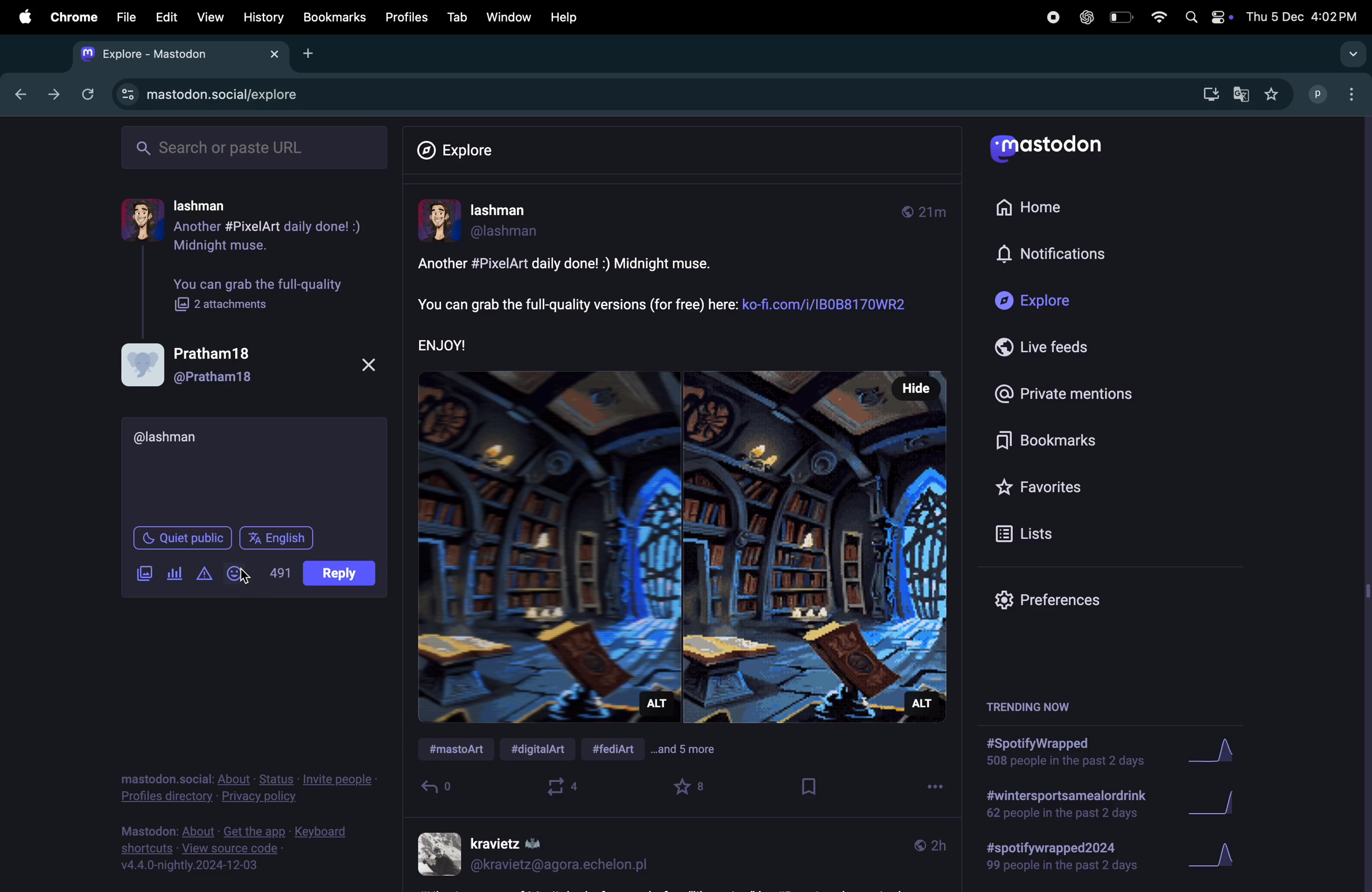 The height and width of the screenshot is (892, 1372). I want to click on time line, so click(926, 845).